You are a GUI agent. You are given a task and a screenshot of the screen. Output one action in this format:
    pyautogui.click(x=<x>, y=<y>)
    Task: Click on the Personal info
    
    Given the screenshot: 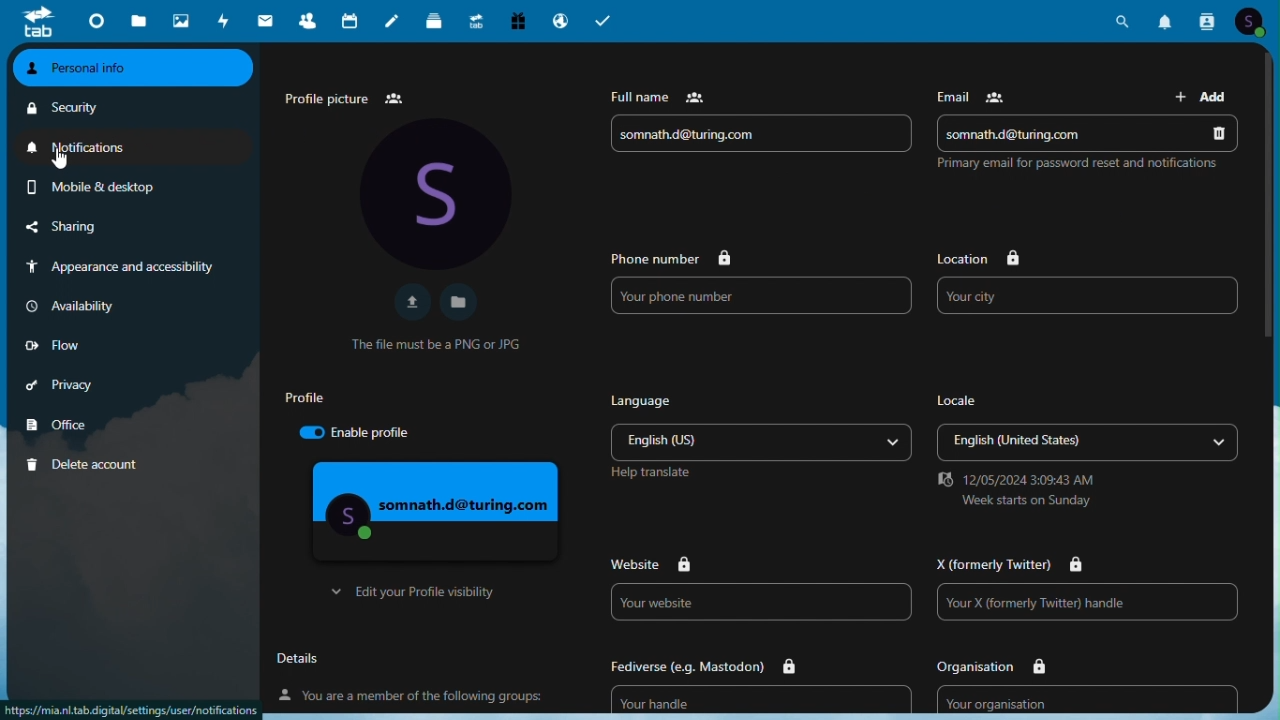 What is the action you would take?
    pyautogui.click(x=133, y=69)
    